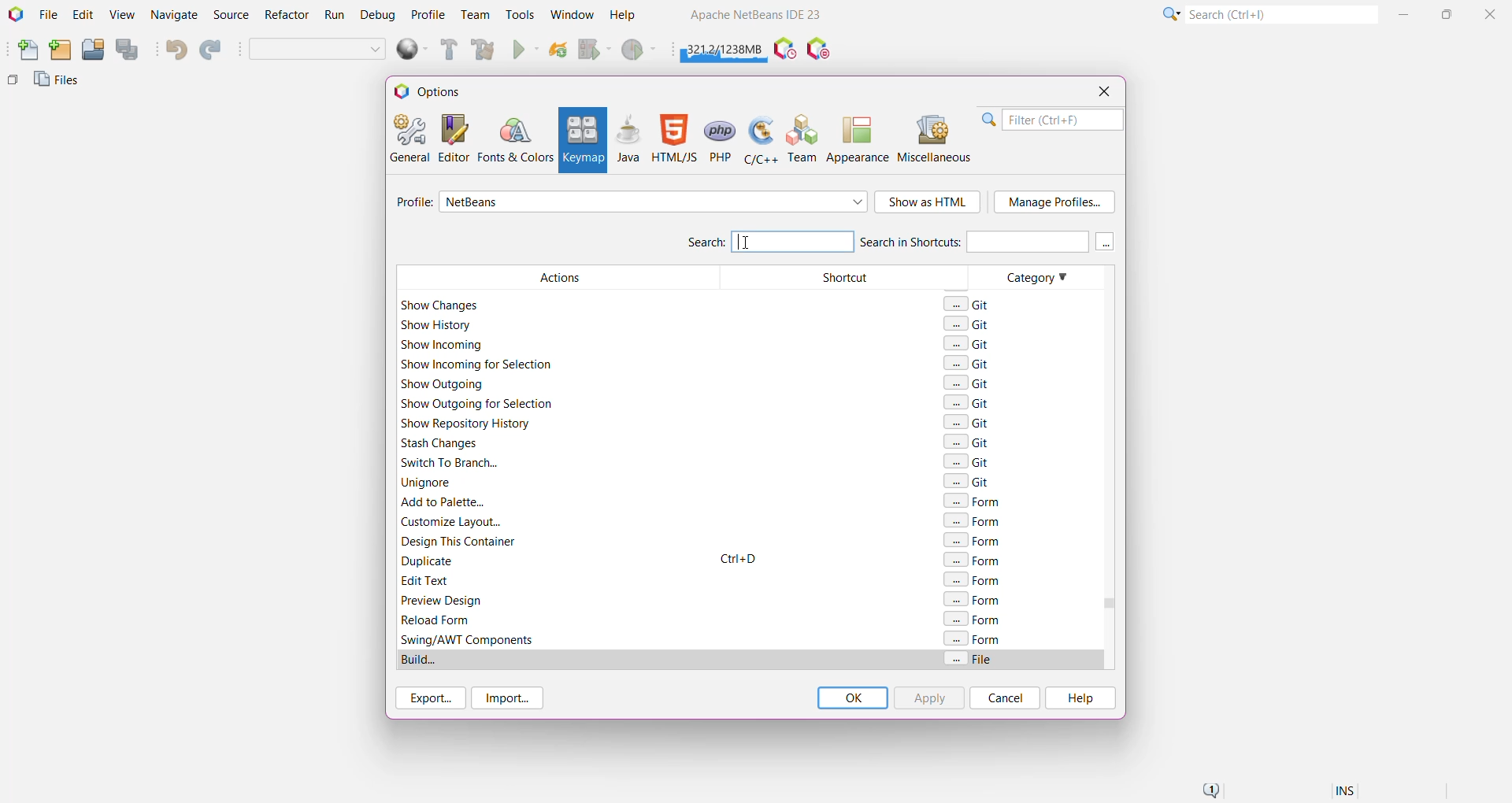 This screenshot has height=803, width=1512. Describe the element at coordinates (754, 17) in the screenshot. I see `Application name and Version` at that location.